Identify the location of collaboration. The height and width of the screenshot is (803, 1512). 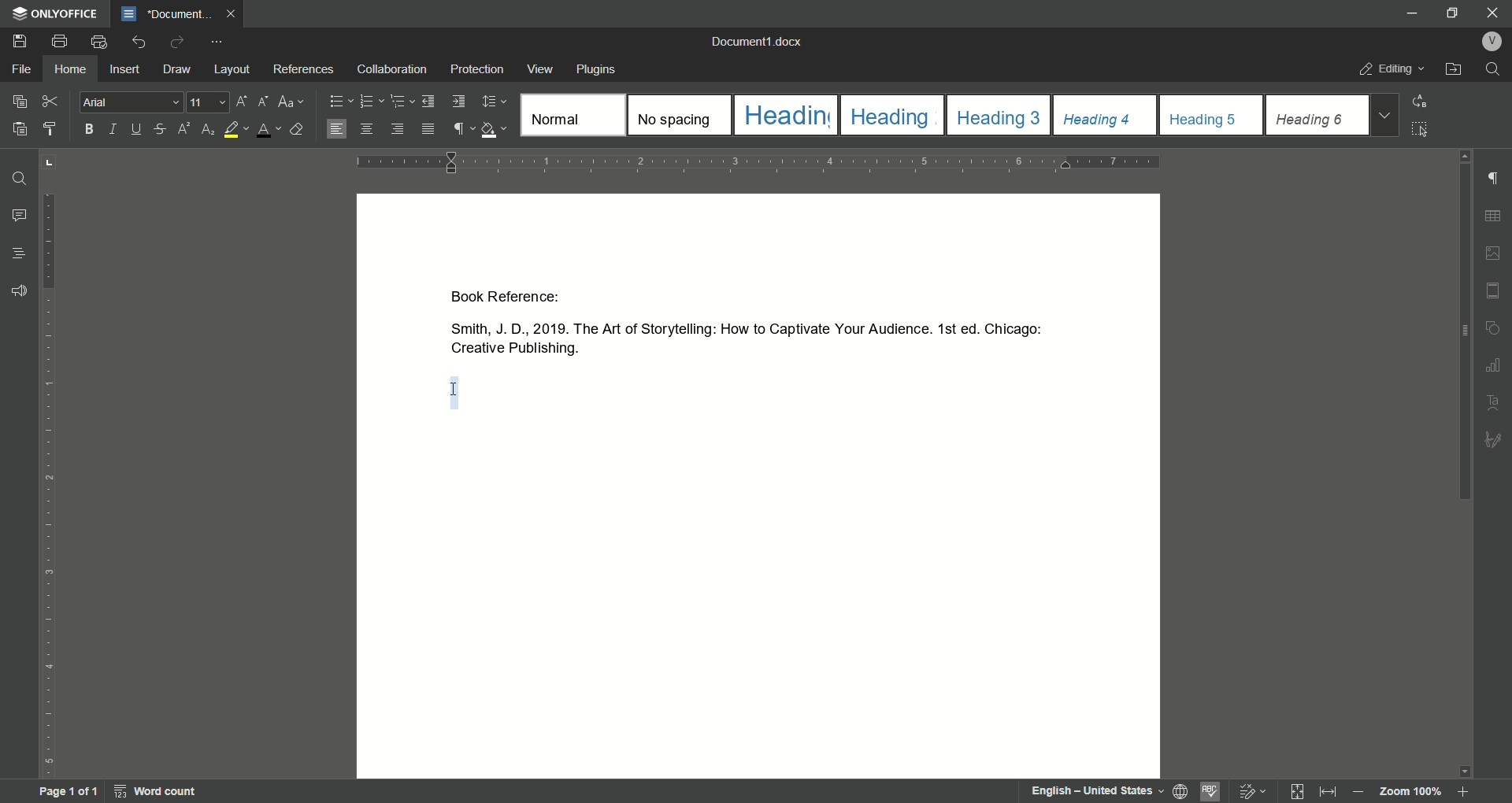
(395, 69).